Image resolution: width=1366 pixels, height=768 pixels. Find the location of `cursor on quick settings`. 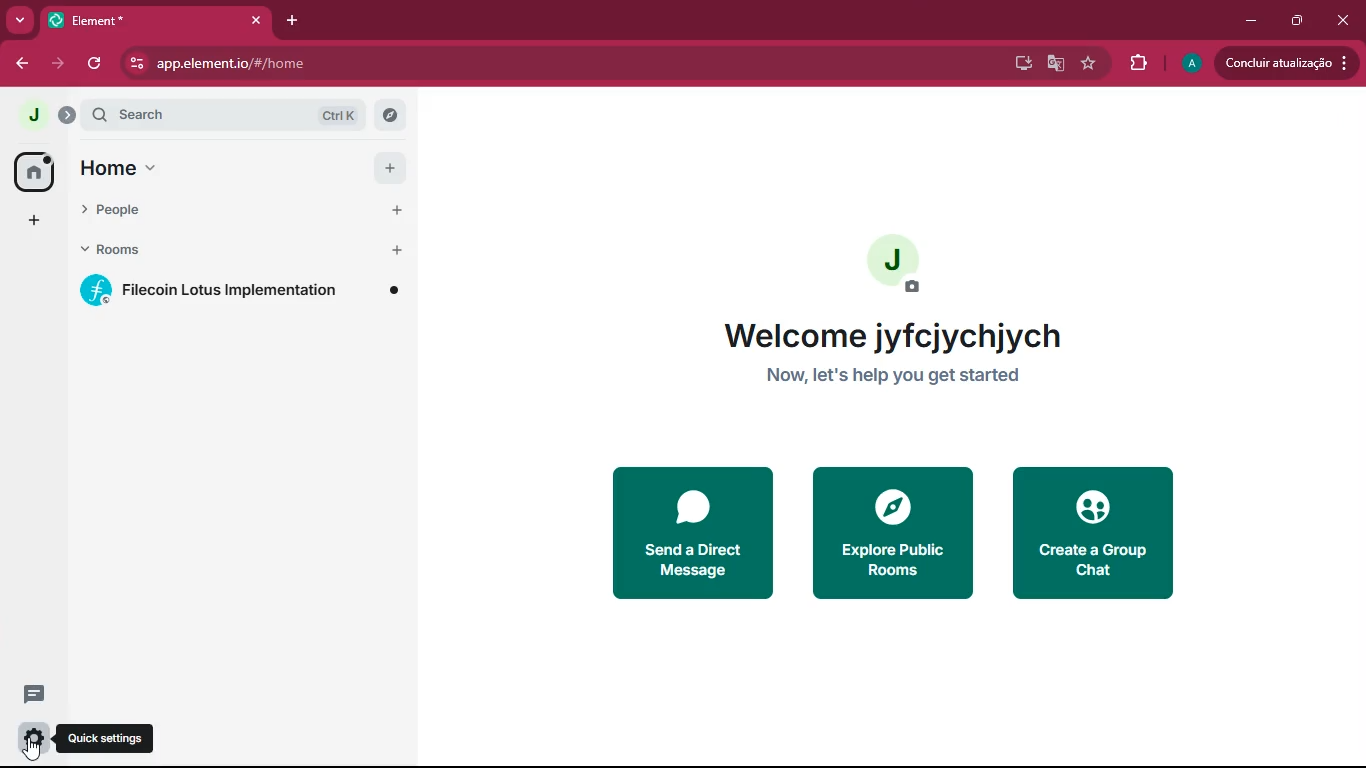

cursor on quick settings is located at coordinates (34, 750).